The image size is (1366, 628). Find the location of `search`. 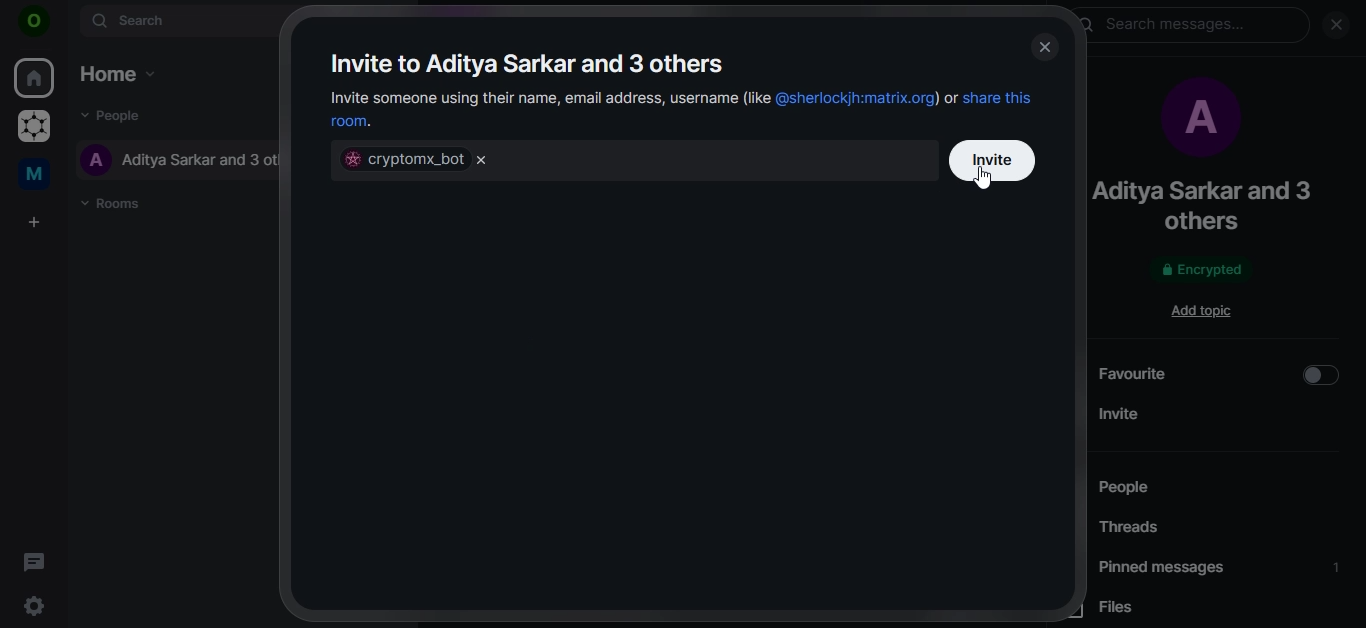

search is located at coordinates (176, 21).